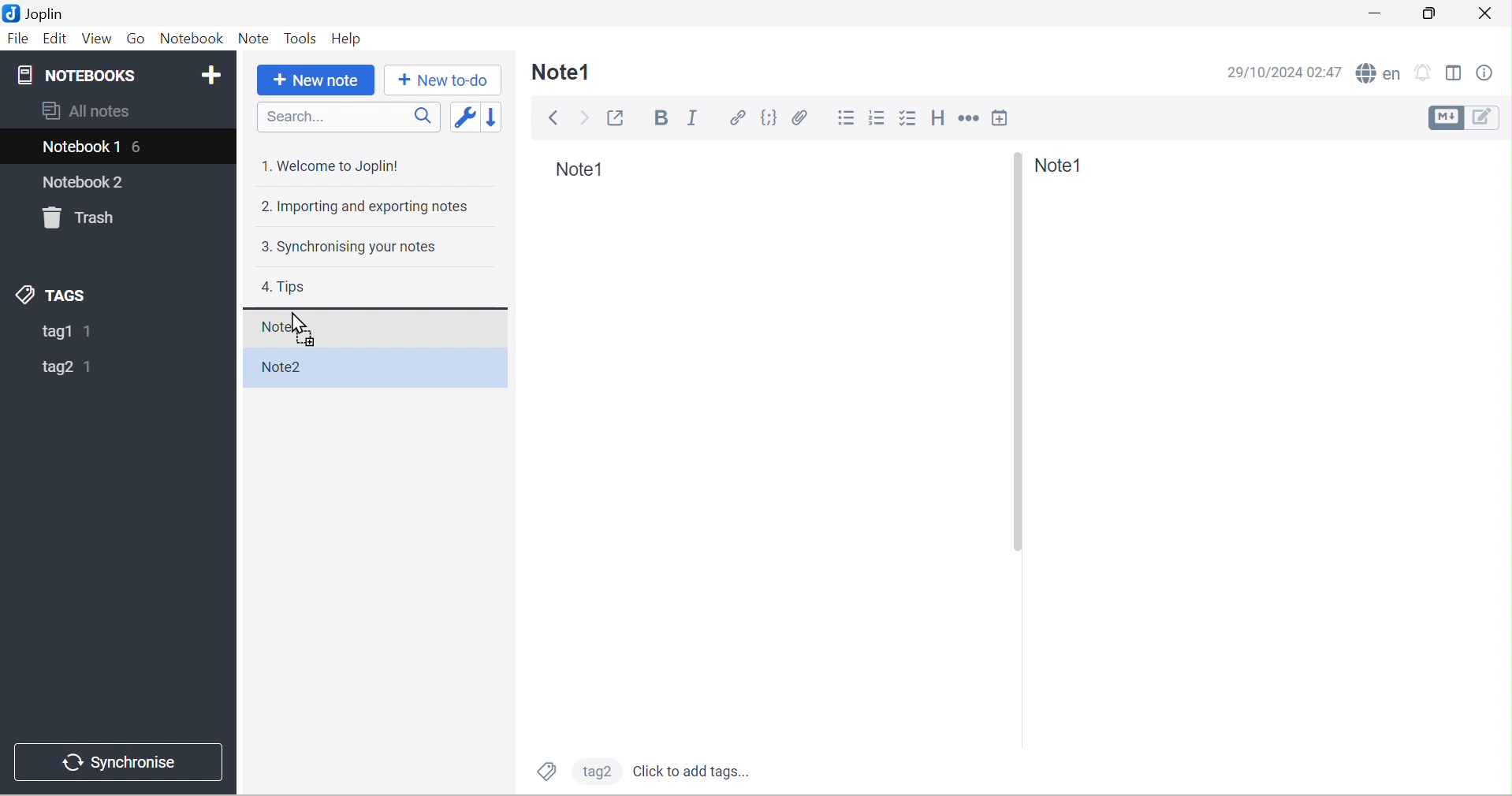 This screenshot has width=1512, height=796. What do you see at coordinates (283, 328) in the screenshot?
I see `Note1` at bounding box center [283, 328].